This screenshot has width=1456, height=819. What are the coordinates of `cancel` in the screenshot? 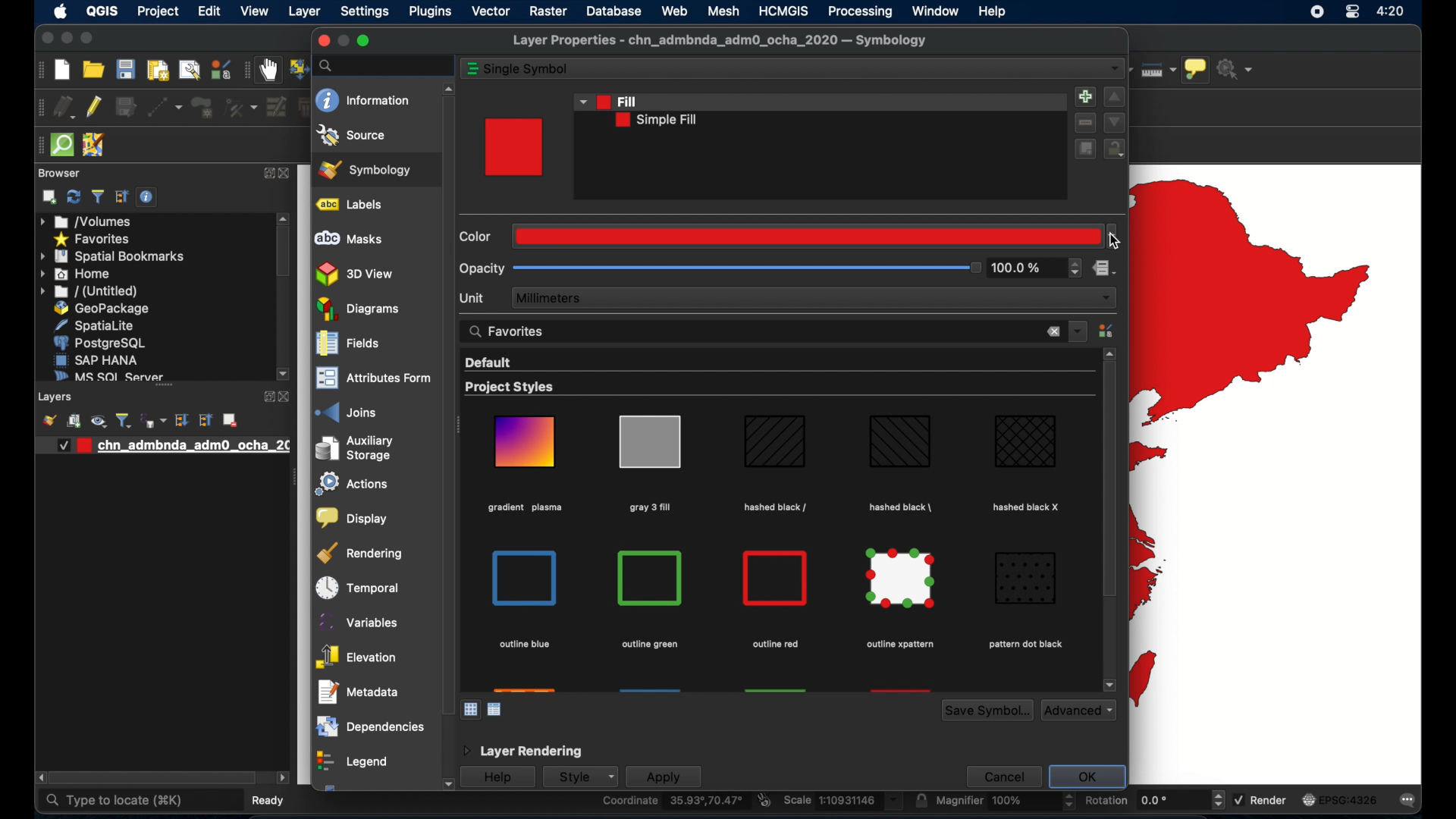 It's located at (1002, 776).